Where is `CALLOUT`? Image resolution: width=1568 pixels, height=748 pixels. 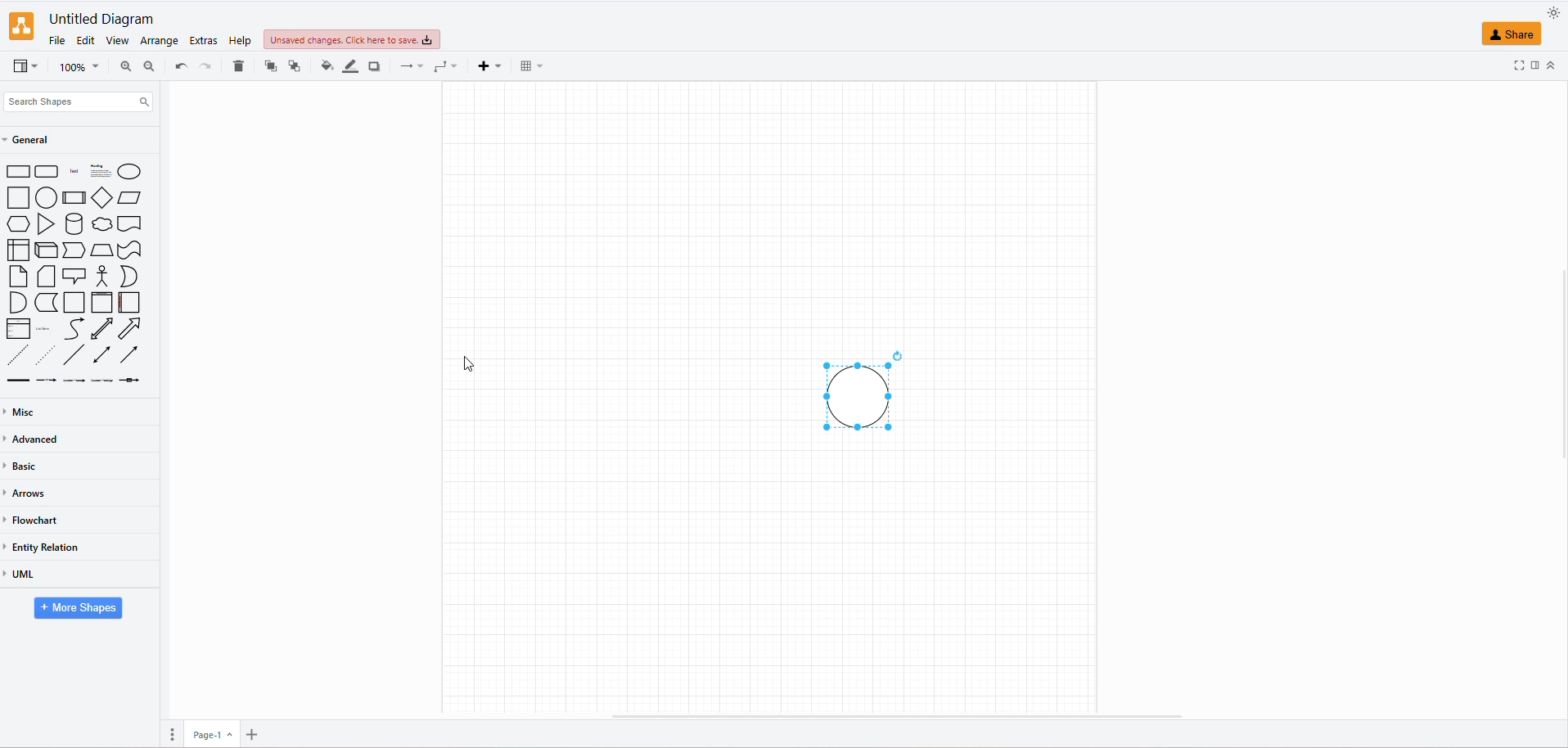 CALLOUT is located at coordinates (74, 277).